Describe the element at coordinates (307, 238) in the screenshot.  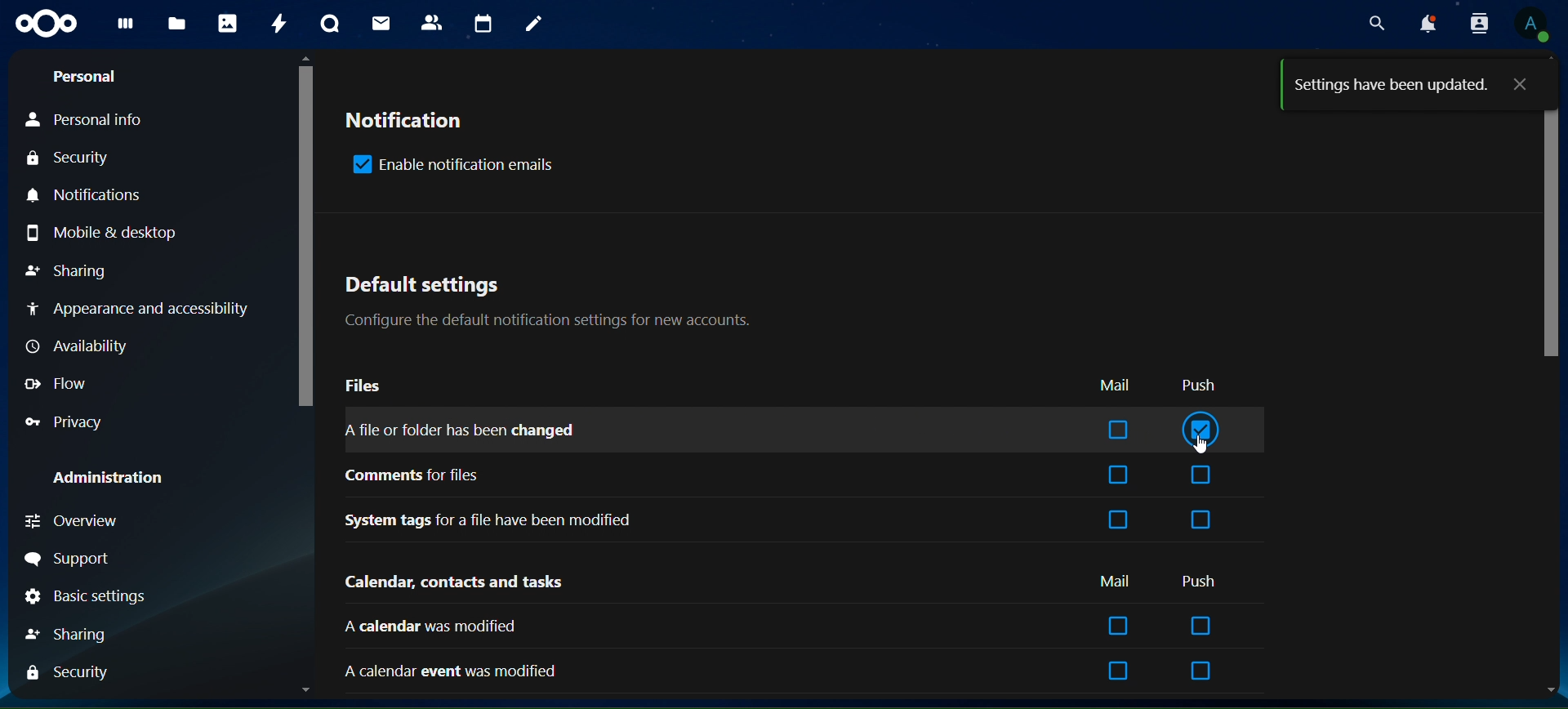
I see `scrollbar` at that location.